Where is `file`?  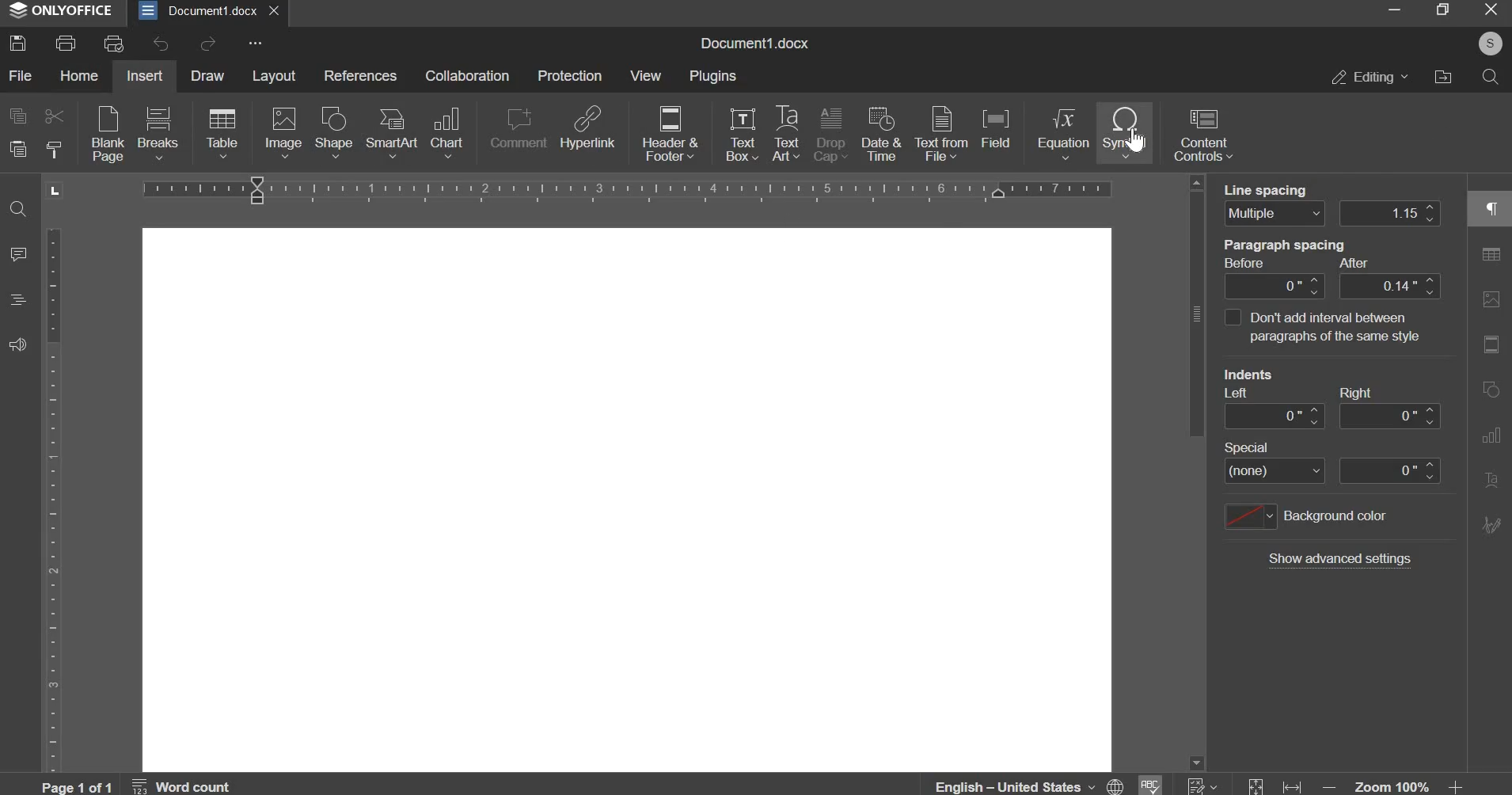 file is located at coordinates (19, 74).